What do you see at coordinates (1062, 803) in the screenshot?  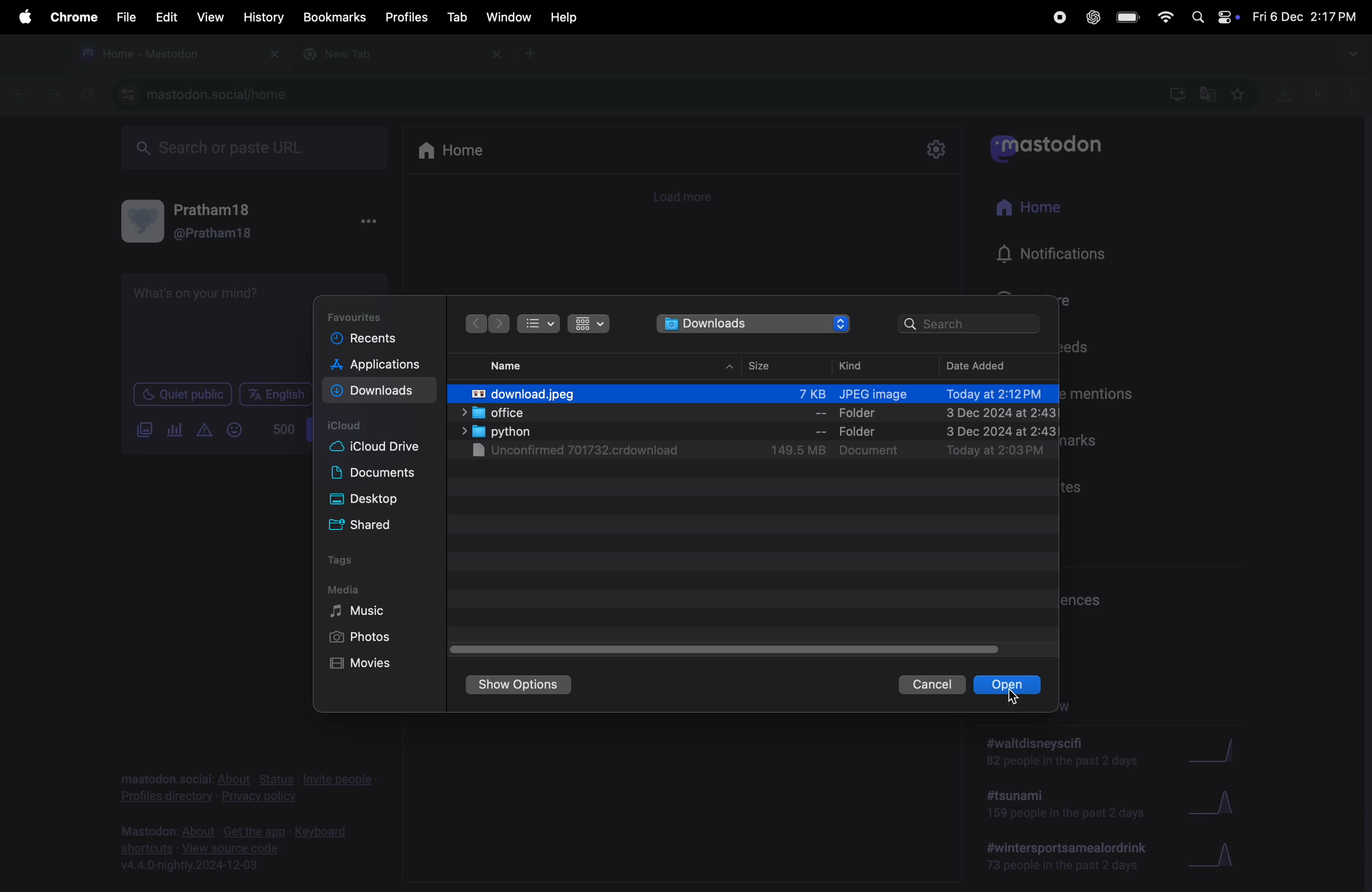 I see `#tsunami` at bounding box center [1062, 803].